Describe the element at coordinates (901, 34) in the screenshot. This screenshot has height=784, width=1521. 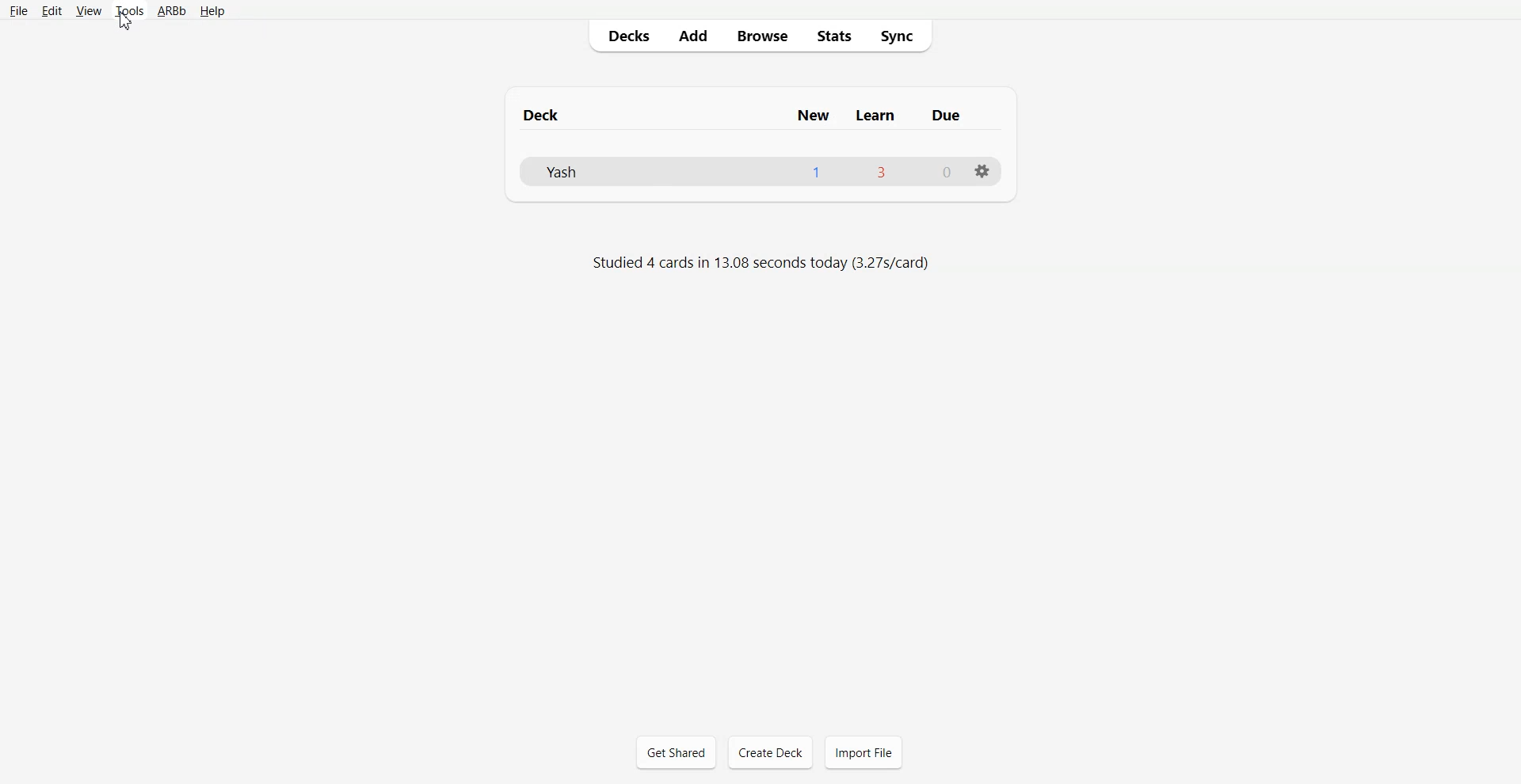
I see `Sync` at that location.